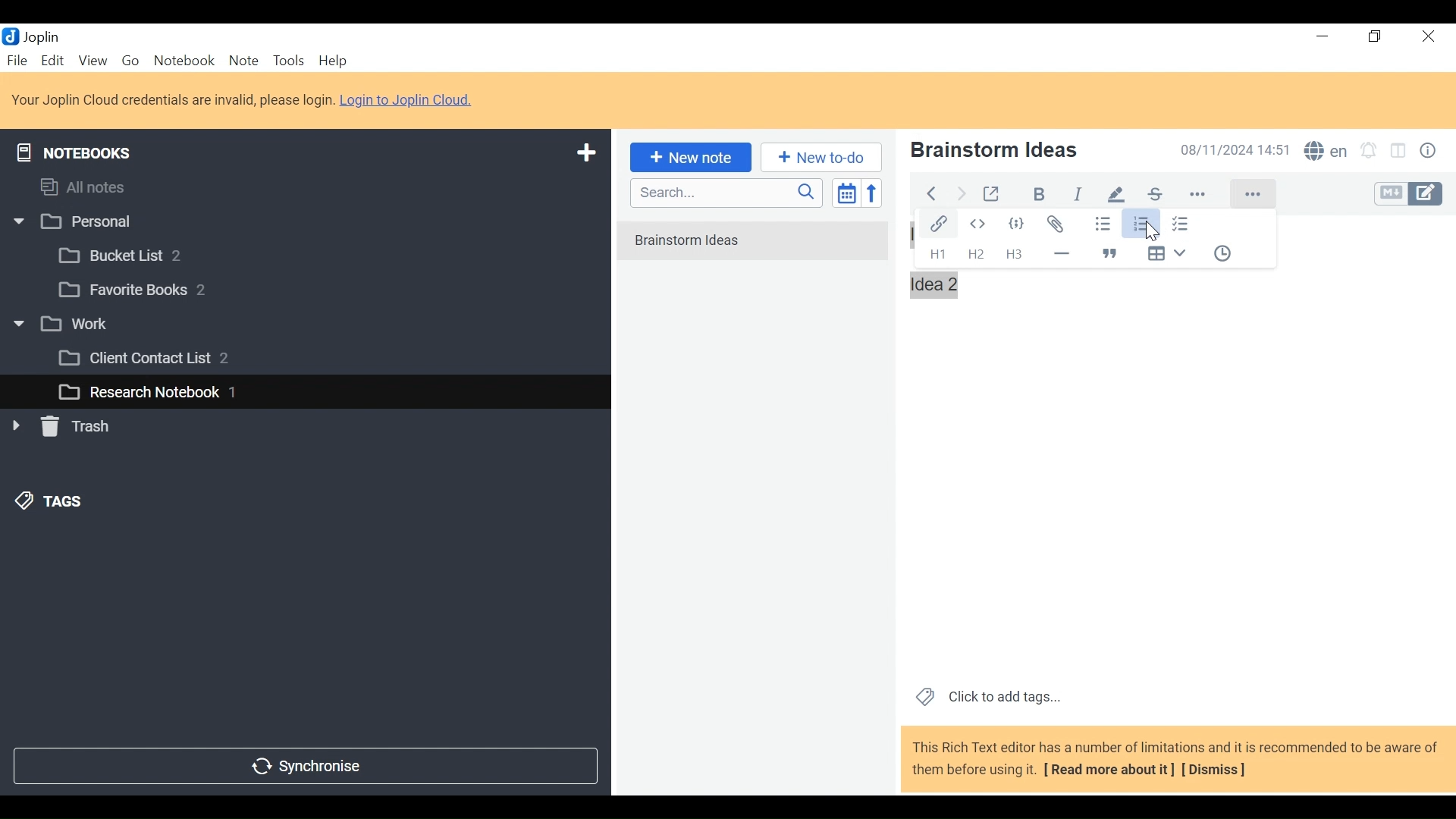 The width and height of the screenshot is (1456, 819). I want to click on Search, so click(724, 193).